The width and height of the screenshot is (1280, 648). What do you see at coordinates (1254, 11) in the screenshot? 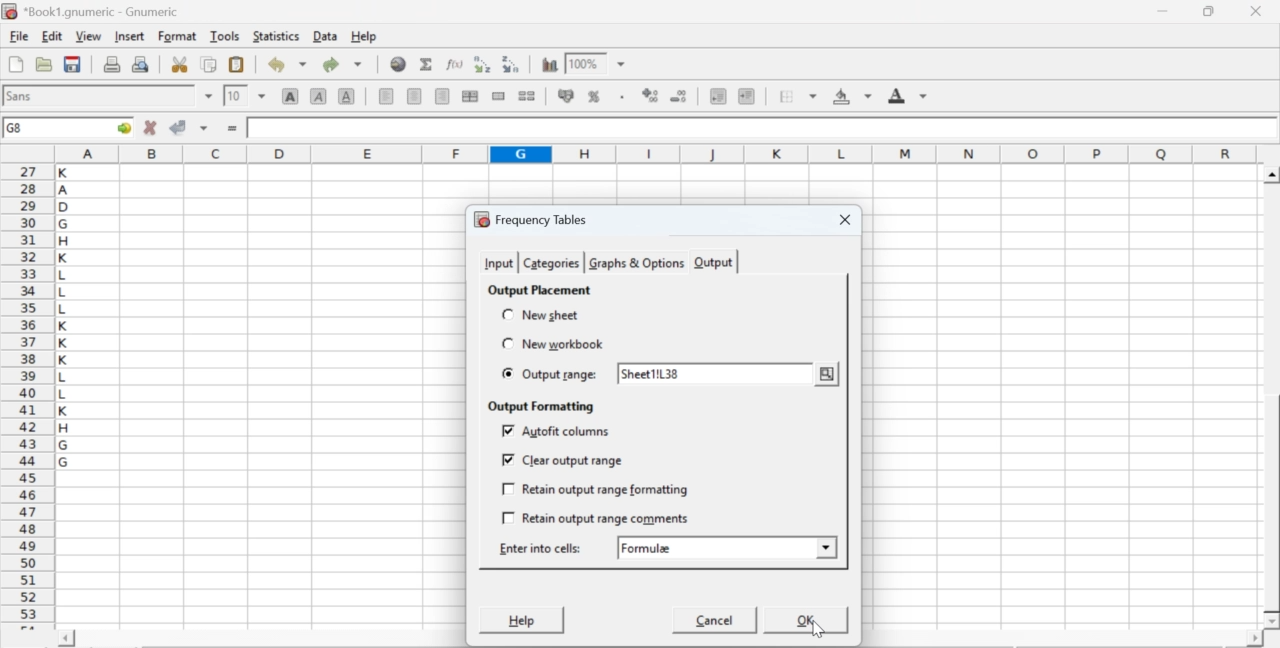
I see `close` at bounding box center [1254, 11].